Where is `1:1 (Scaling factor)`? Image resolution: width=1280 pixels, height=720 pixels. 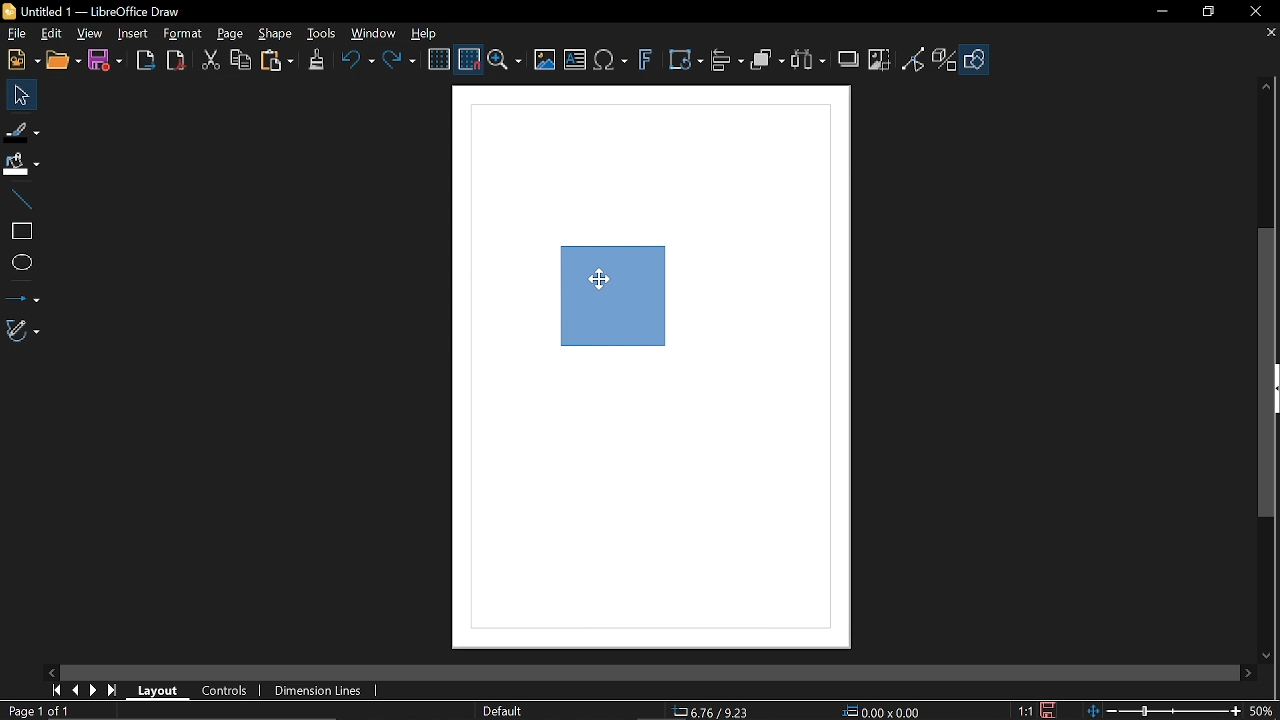 1:1 (Scaling factor) is located at coordinates (1026, 712).